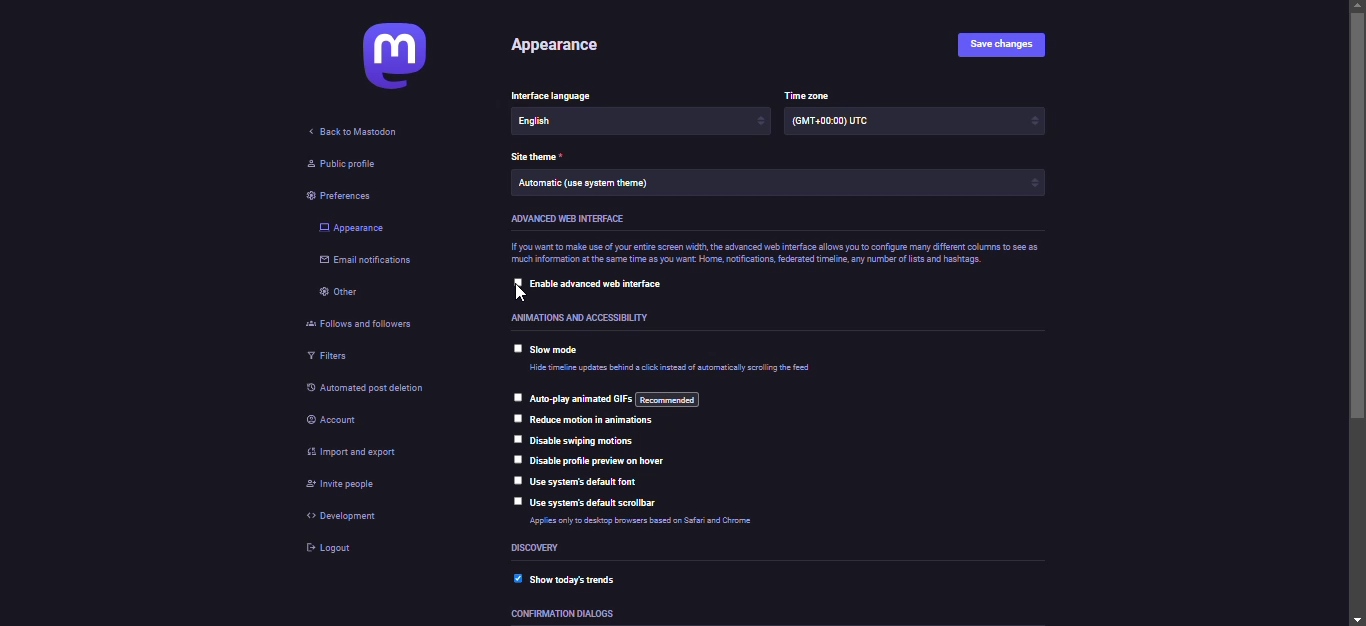 Image resolution: width=1366 pixels, height=626 pixels. What do you see at coordinates (515, 294) in the screenshot?
I see `pointer cursor` at bounding box center [515, 294].